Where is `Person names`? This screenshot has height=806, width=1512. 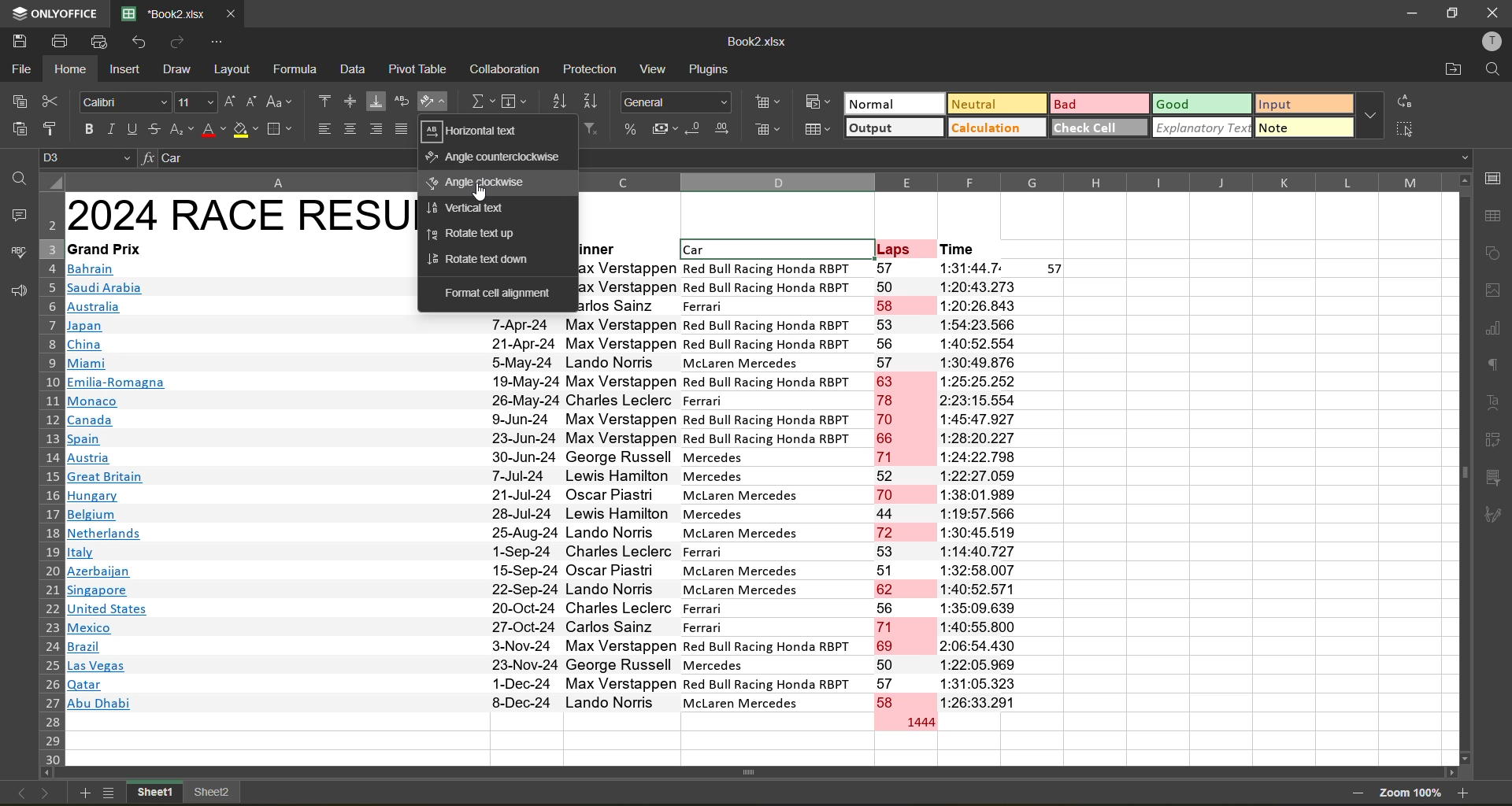 Person names is located at coordinates (621, 512).